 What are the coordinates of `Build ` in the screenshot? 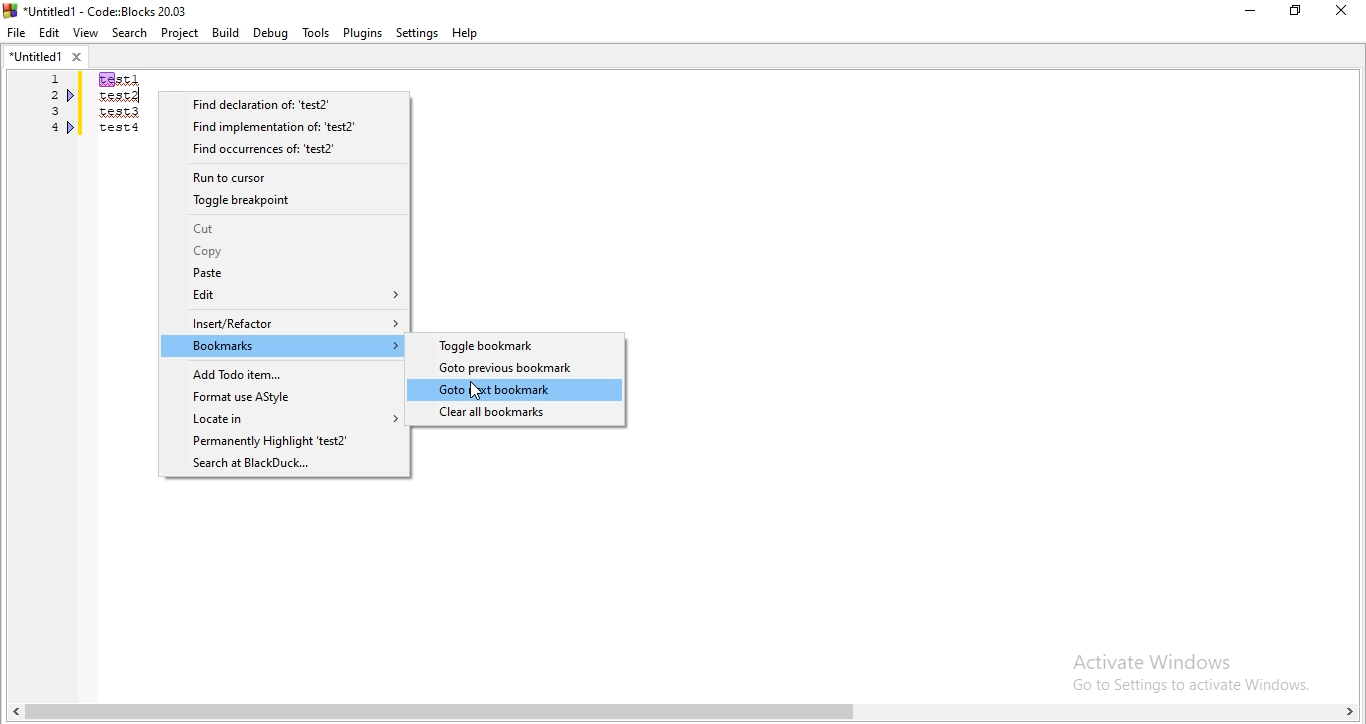 It's located at (226, 32).